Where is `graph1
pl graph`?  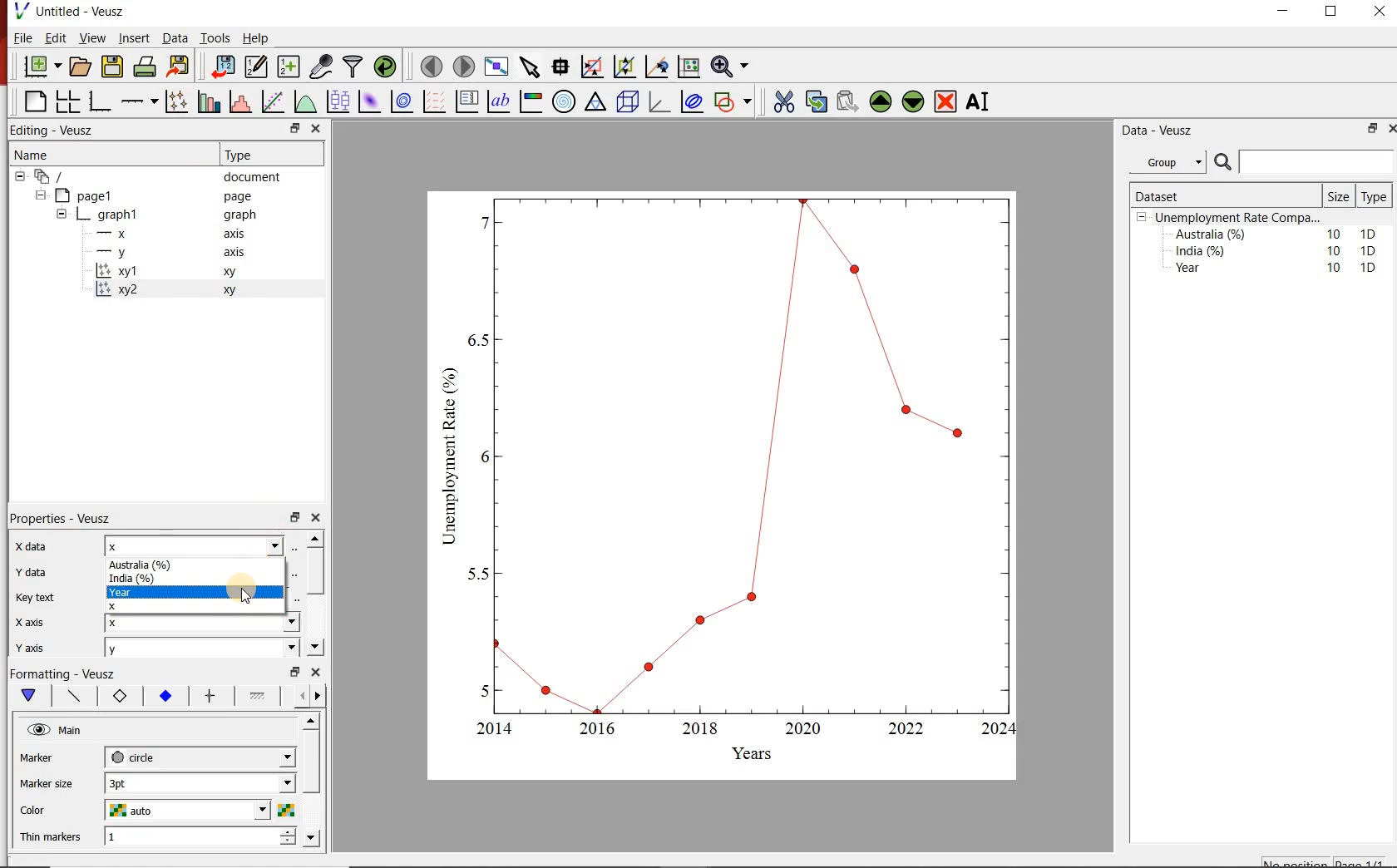 graph1
pl graph is located at coordinates (172, 215).